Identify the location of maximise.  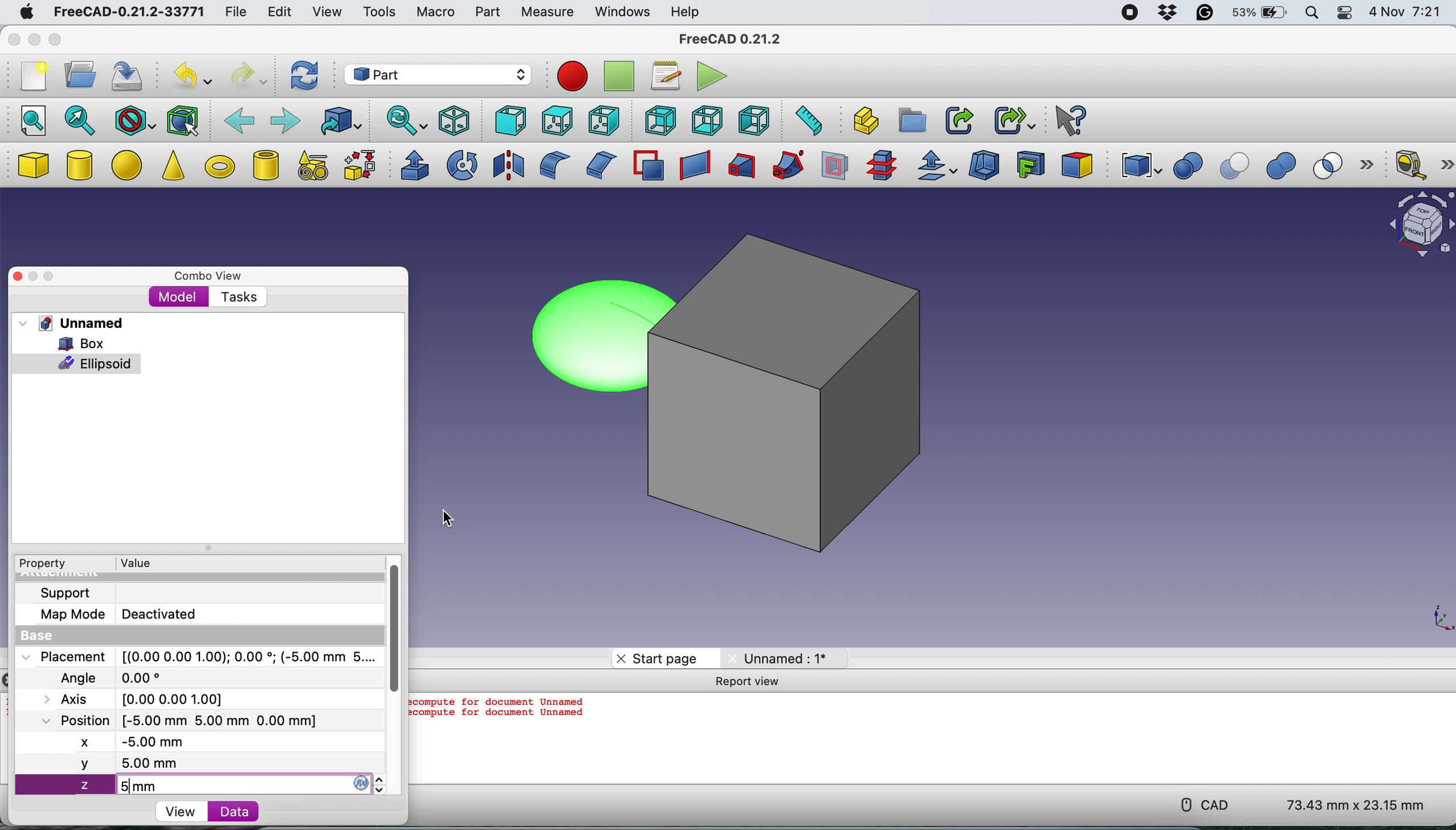
(55, 40).